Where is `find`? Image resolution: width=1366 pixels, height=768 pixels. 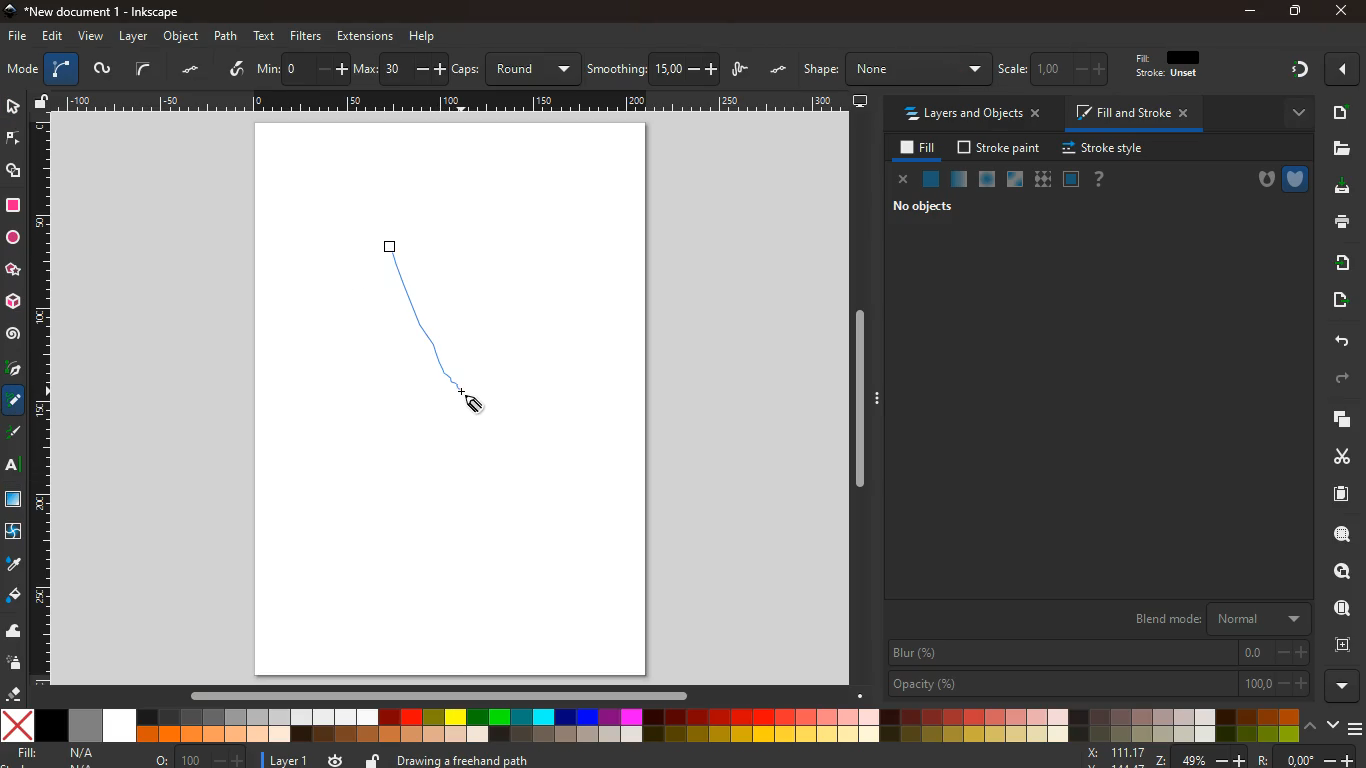
find is located at coordinates (1342, 534).